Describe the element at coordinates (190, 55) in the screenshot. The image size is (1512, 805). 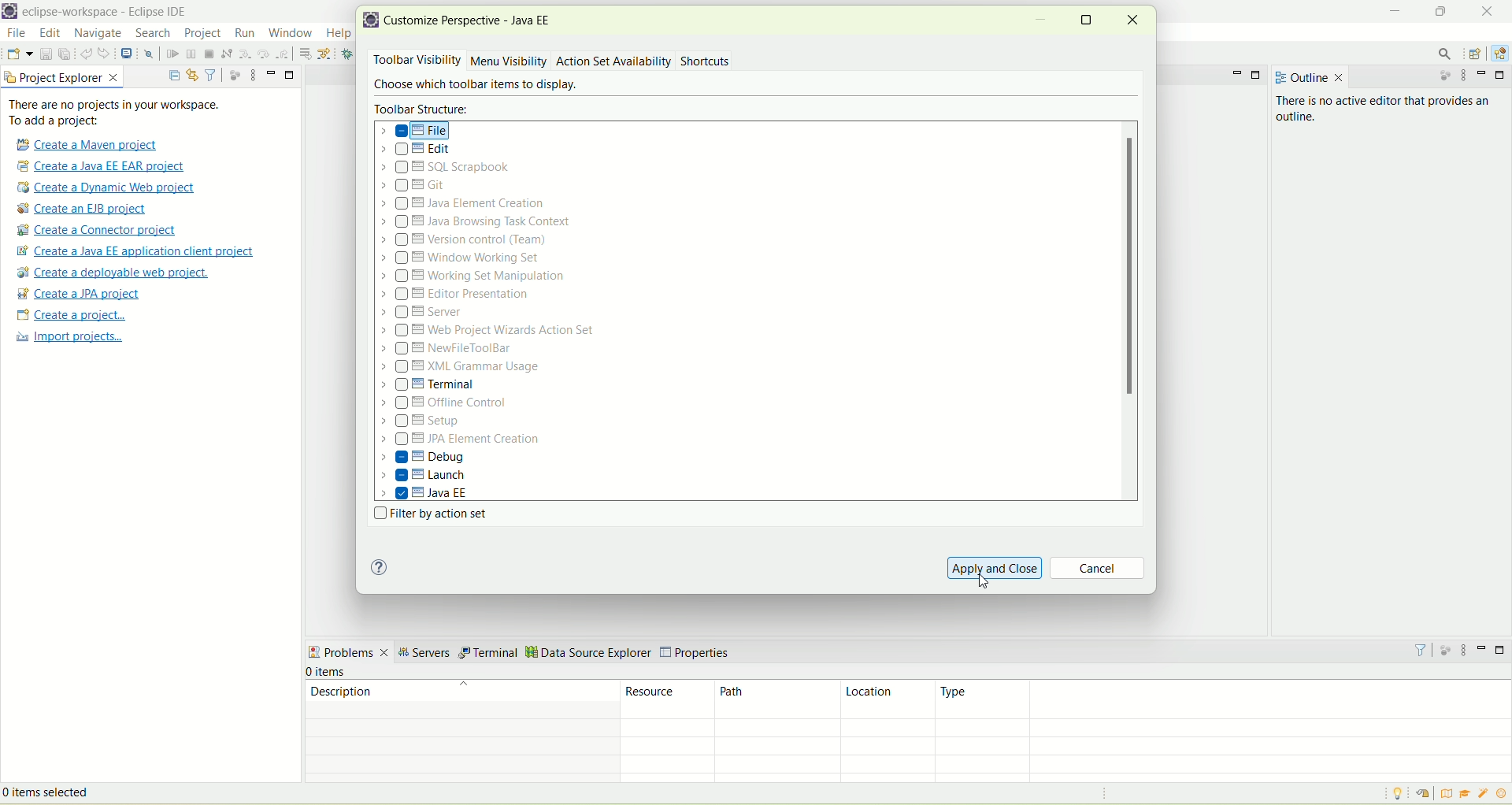
I see `suspend` at that location.